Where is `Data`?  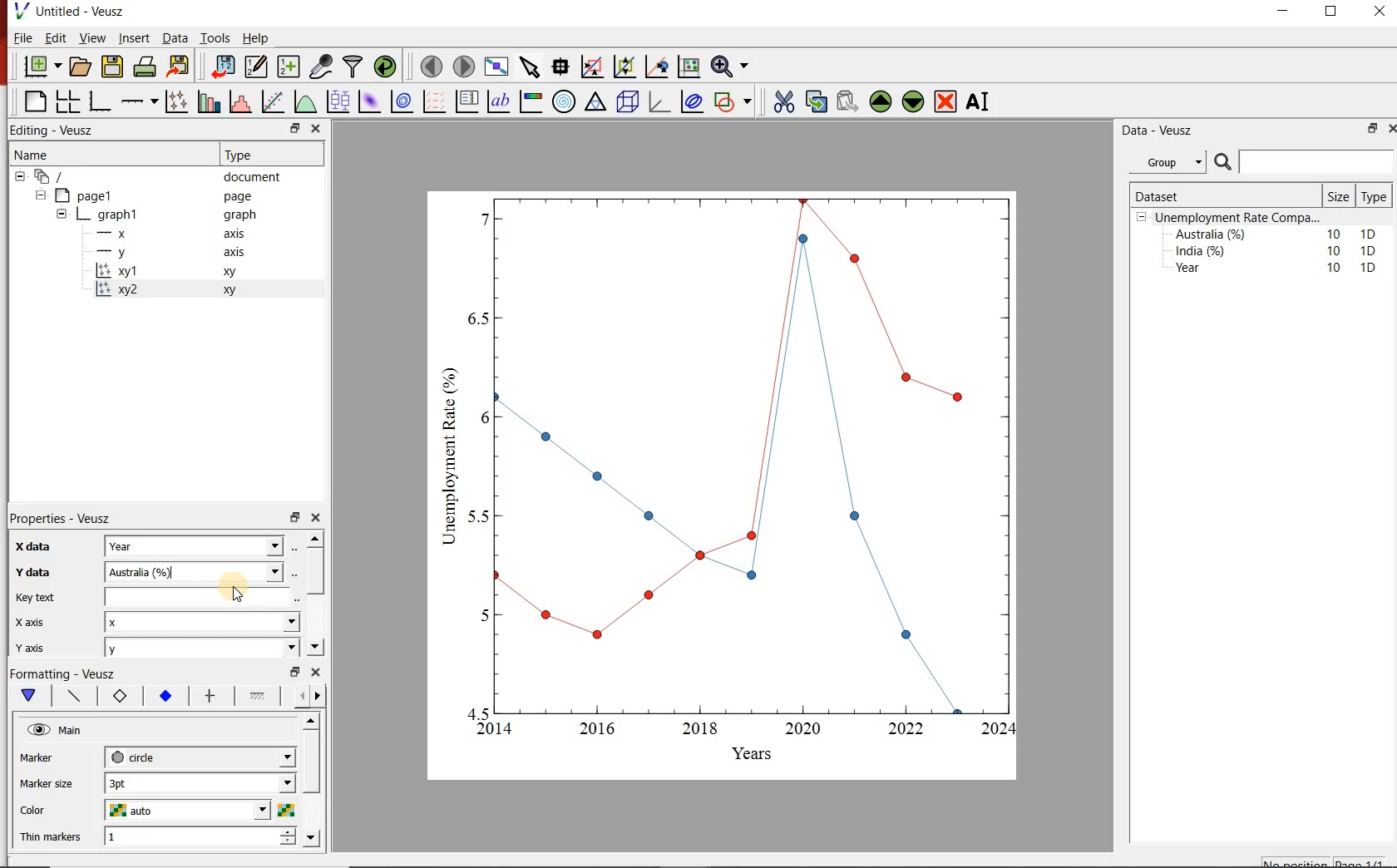
Data is located at coordinates (175, 38).